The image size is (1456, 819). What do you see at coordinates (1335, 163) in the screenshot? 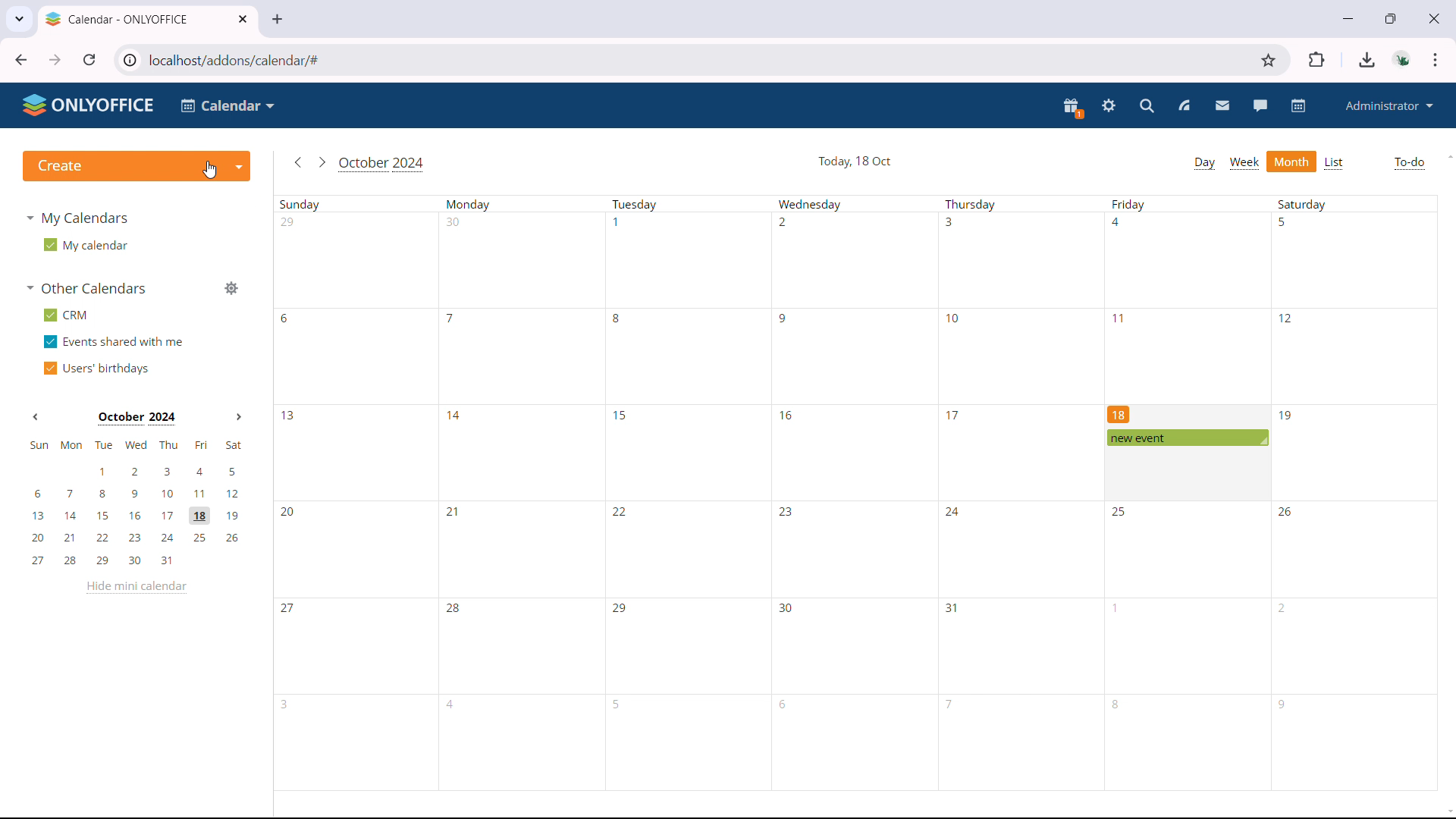
I see `list` at bounding box center [1335, 163].